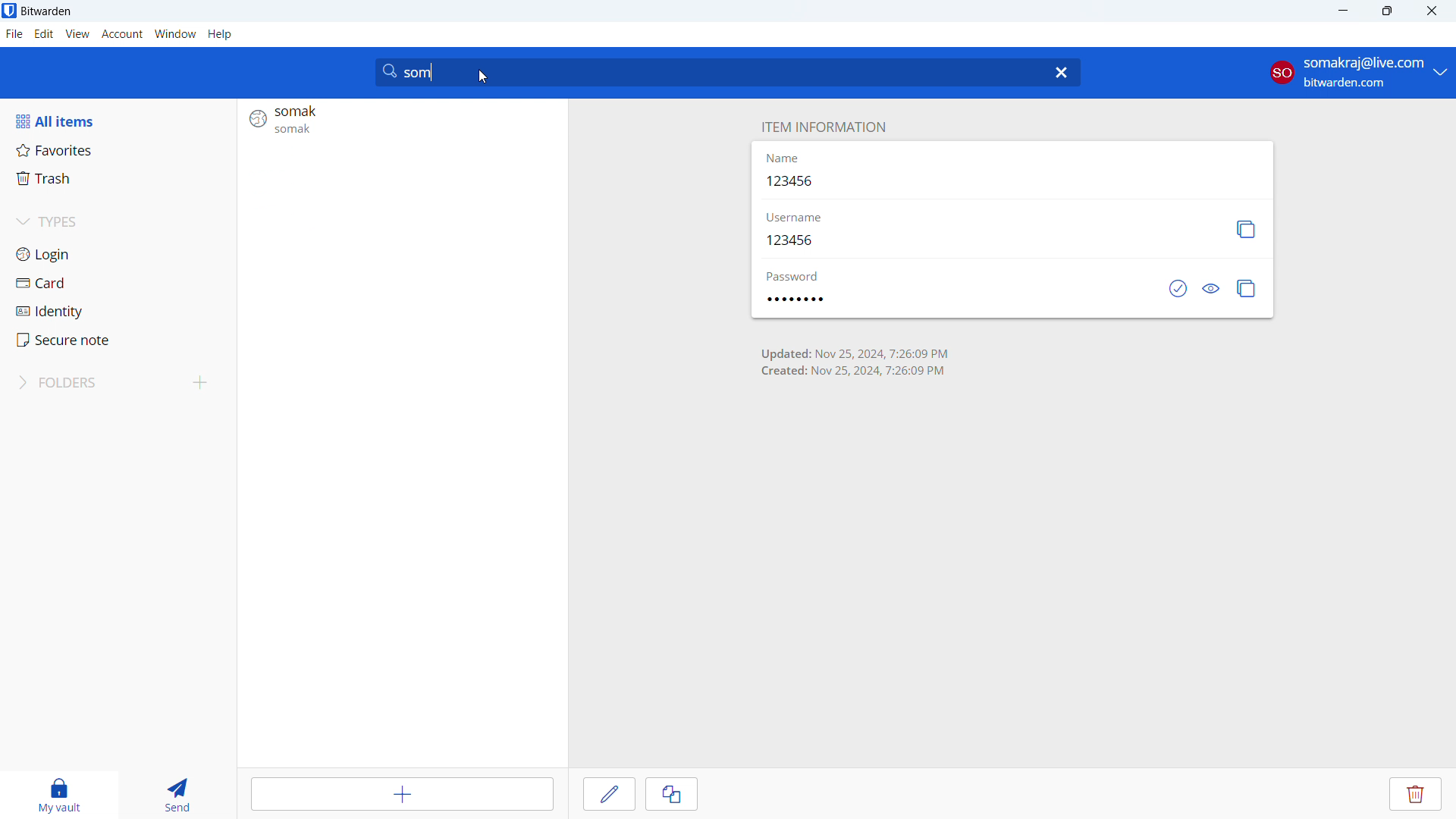  Describe the element at coordinates (1341, 11) in the screenshot. I see `minimize` at that location.